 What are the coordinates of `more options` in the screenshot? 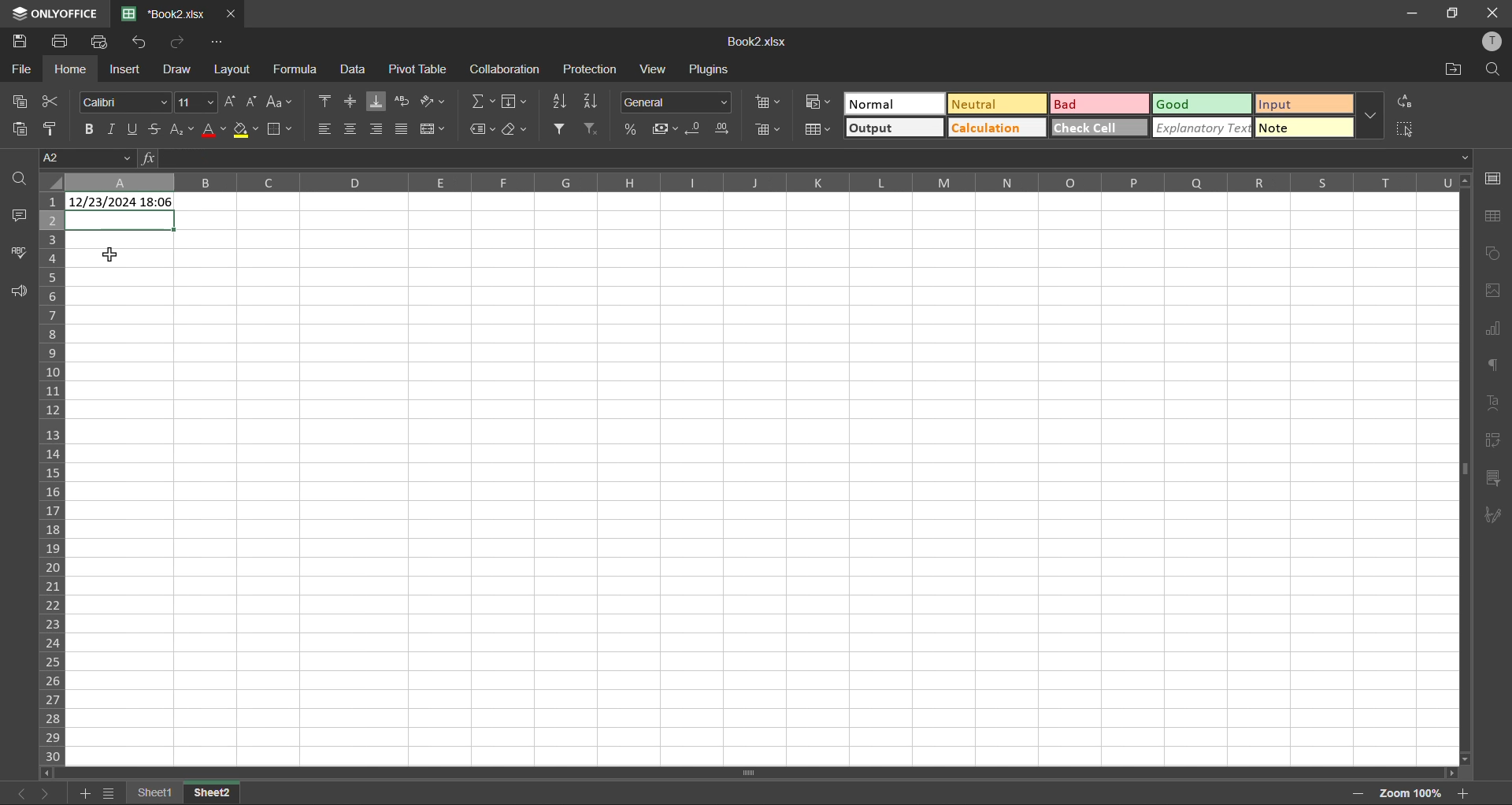 It's located at (1368, 116).